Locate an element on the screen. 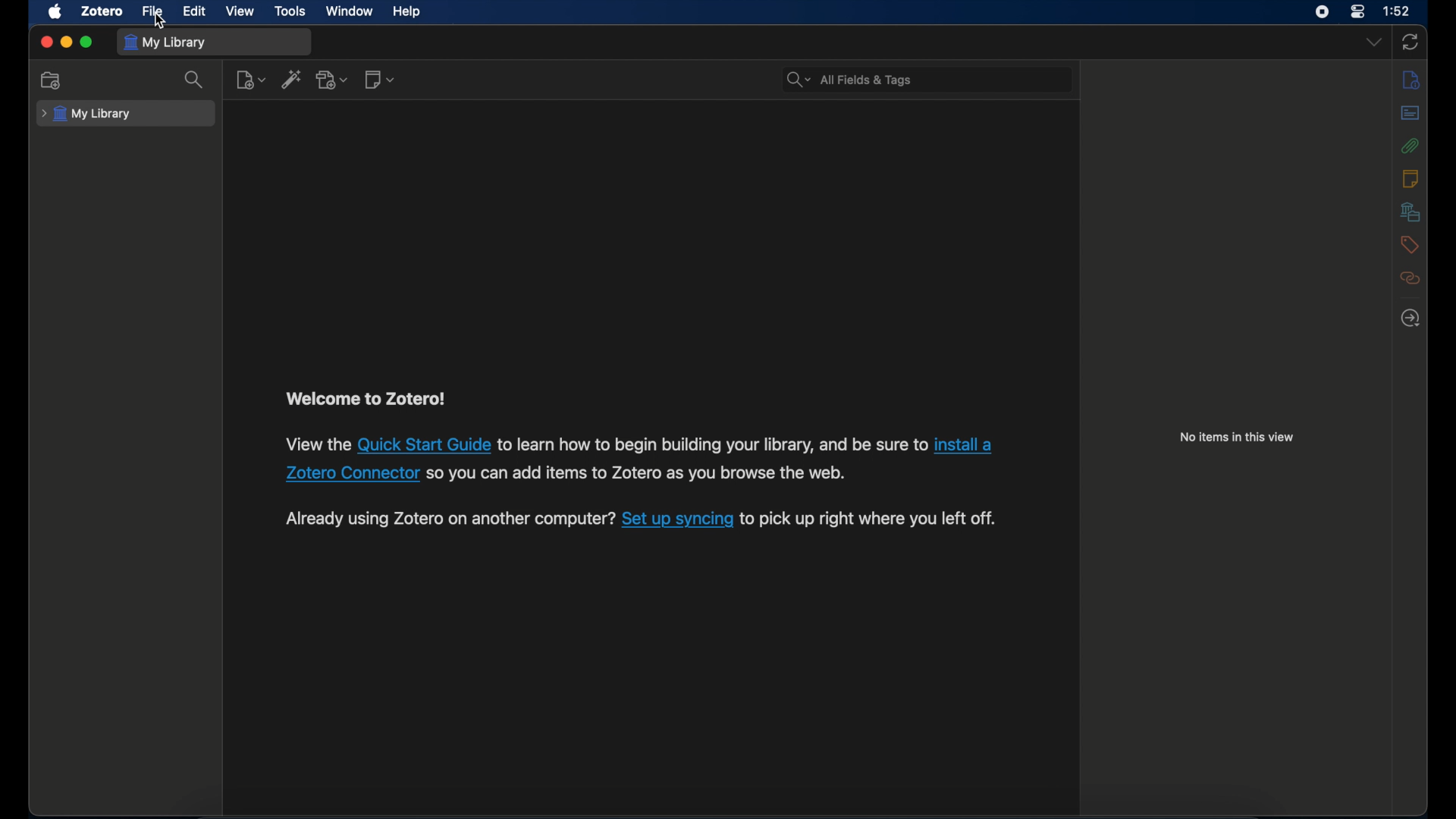 The width and height of the screenshot is (1456, 819). Quick Start Guide is located at coordinates (422, 441).